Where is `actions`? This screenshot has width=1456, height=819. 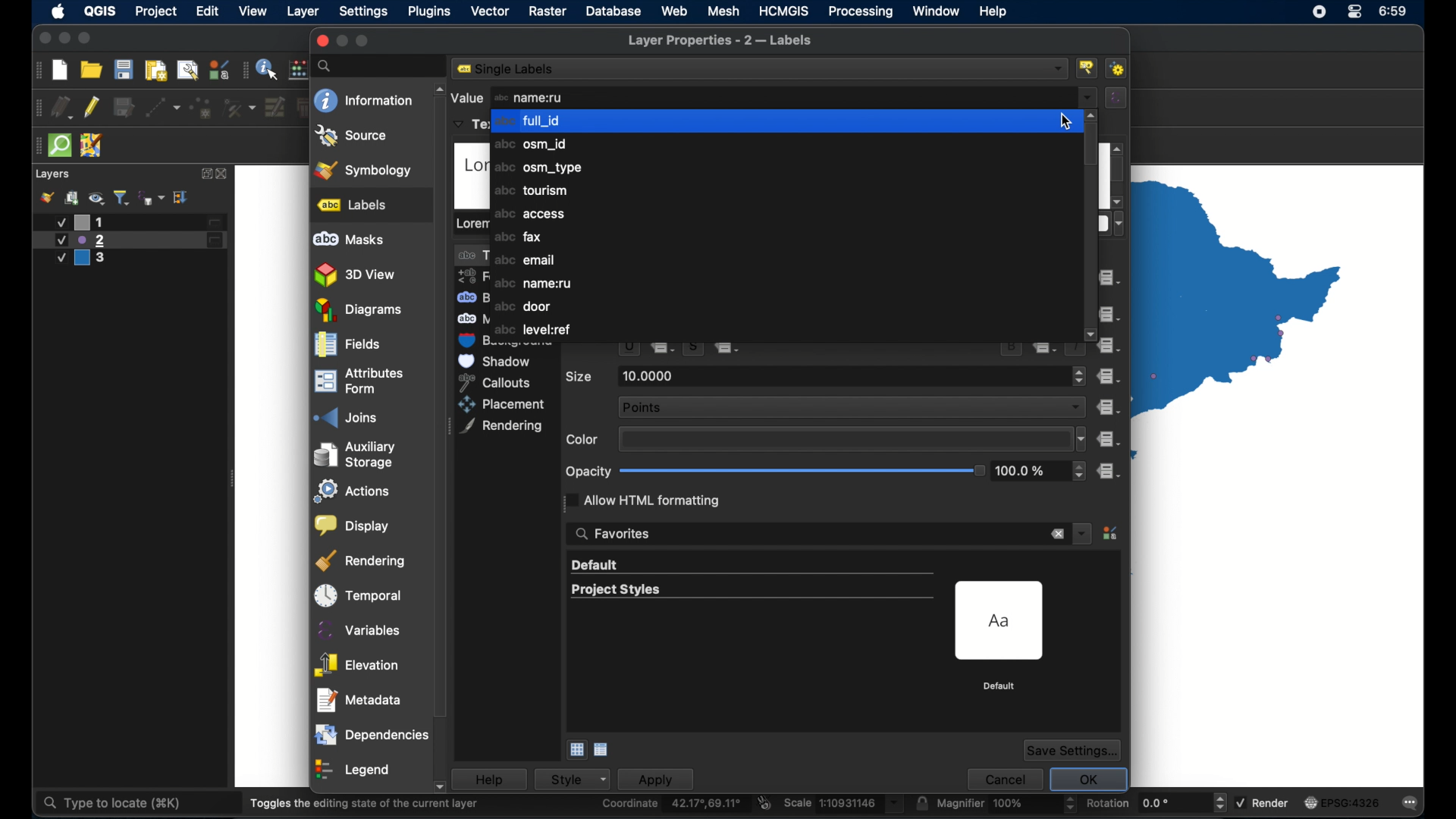
actions is located at coordinates (354, 488).